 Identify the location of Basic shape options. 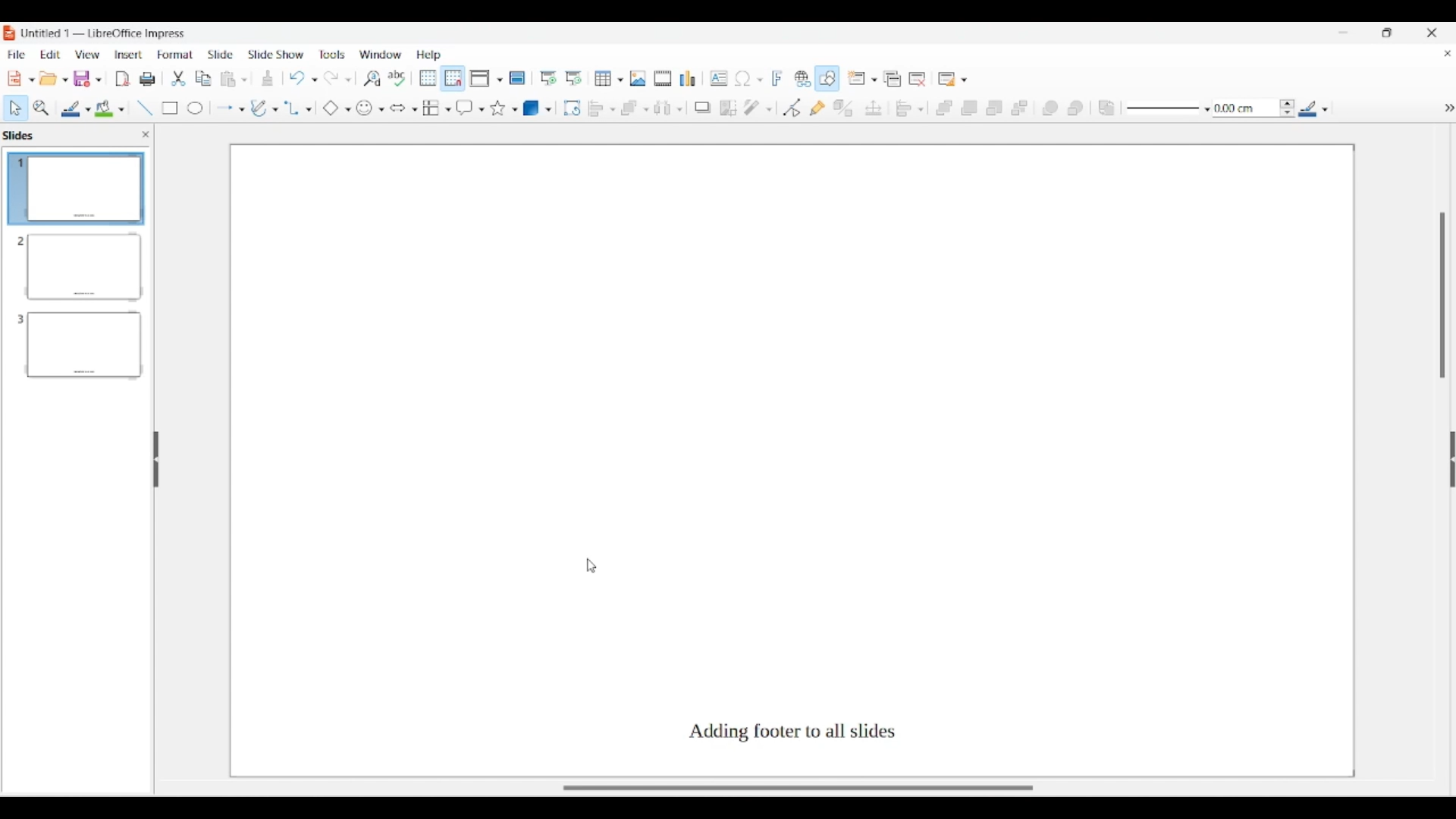
(337, 108).